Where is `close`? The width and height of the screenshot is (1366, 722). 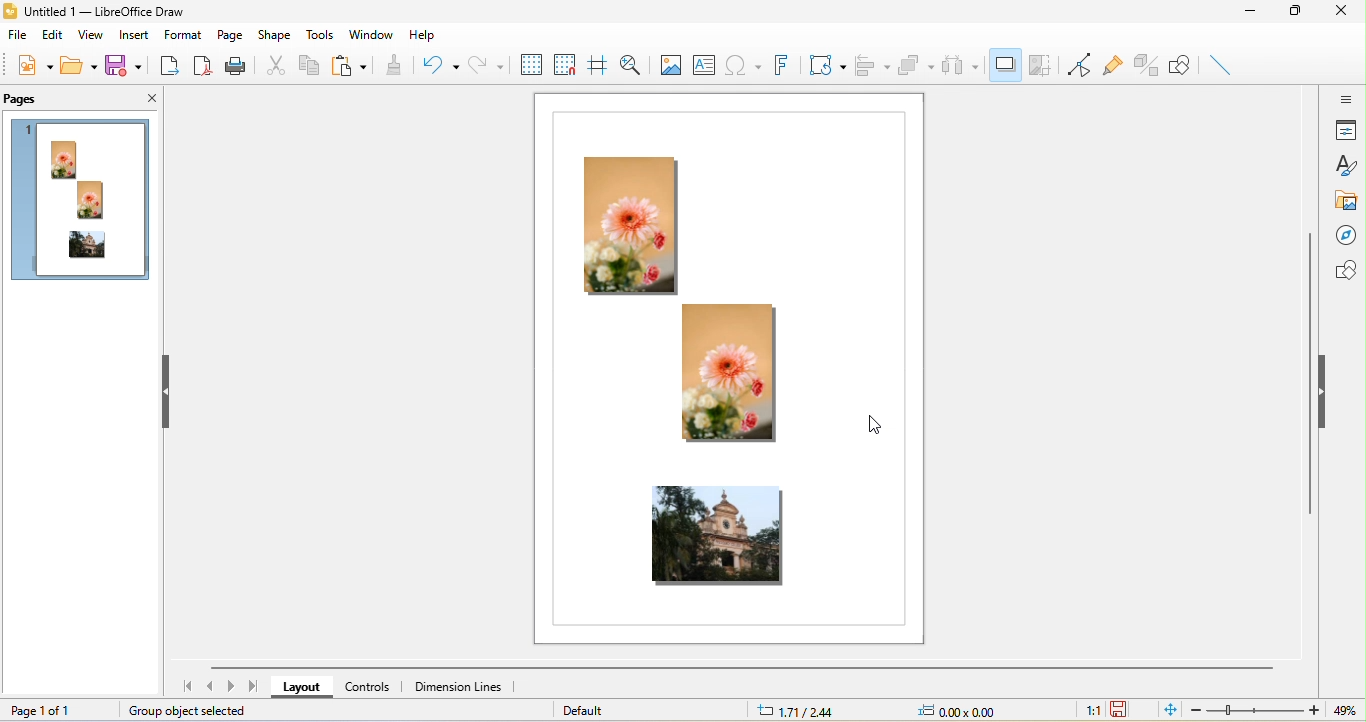 close is located at coordinates (143, 99).